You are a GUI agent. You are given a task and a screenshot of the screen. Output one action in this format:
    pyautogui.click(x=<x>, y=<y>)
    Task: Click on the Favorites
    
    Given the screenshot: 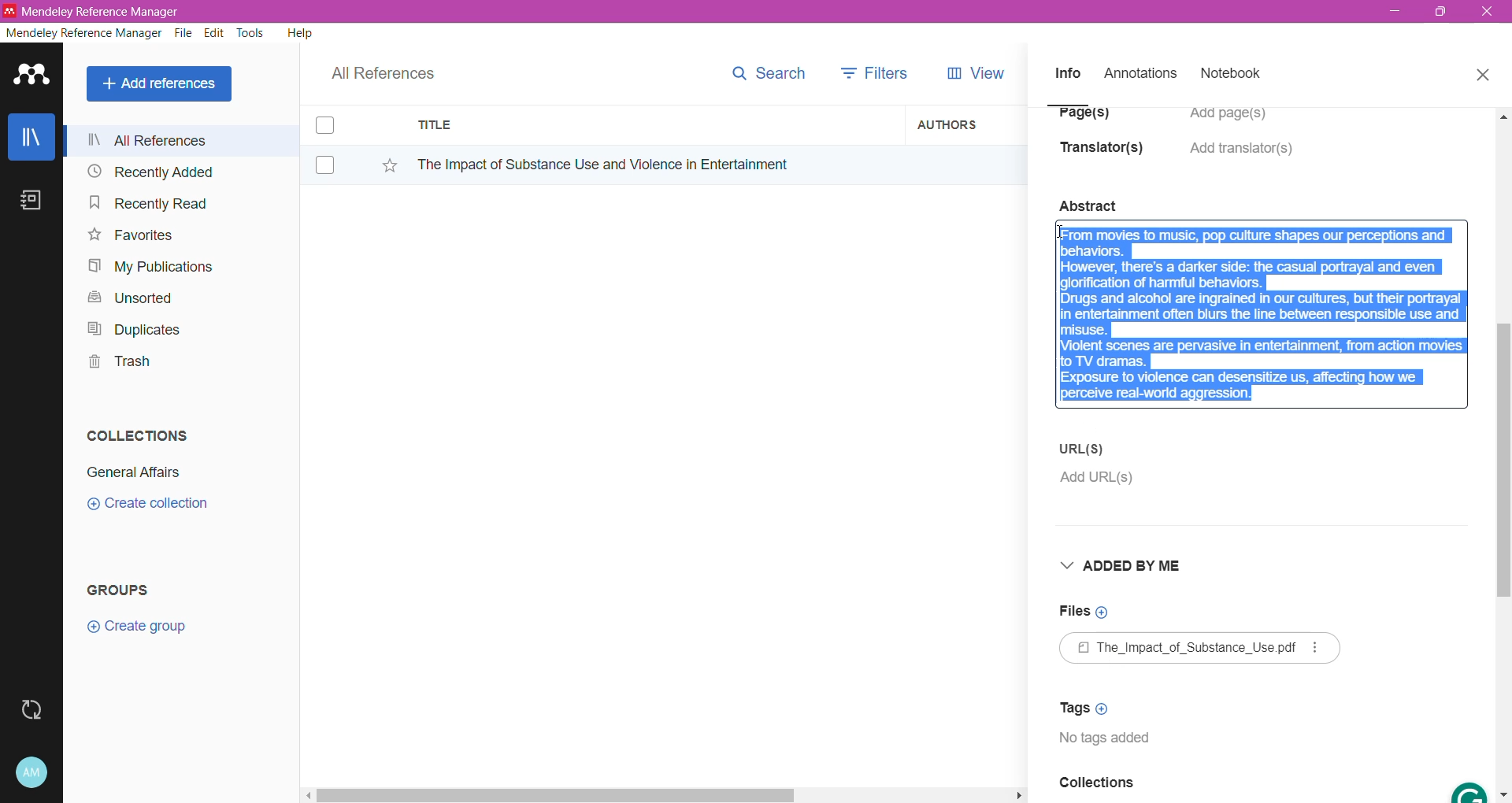 What is the action you would take?
    pyautogui.click(x=129, y=235)
    